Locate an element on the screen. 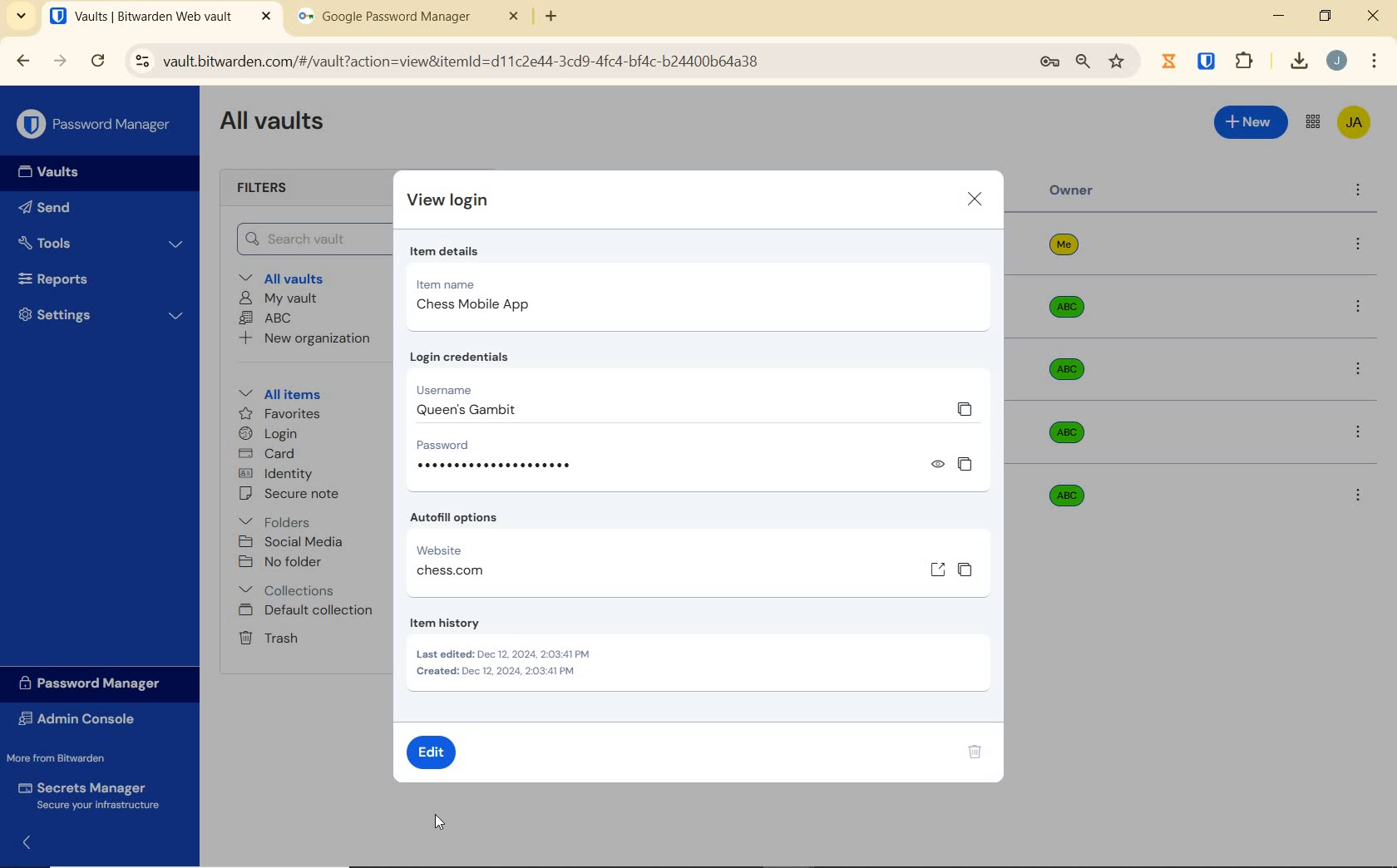  Tools is located at coordinates (101, 244).